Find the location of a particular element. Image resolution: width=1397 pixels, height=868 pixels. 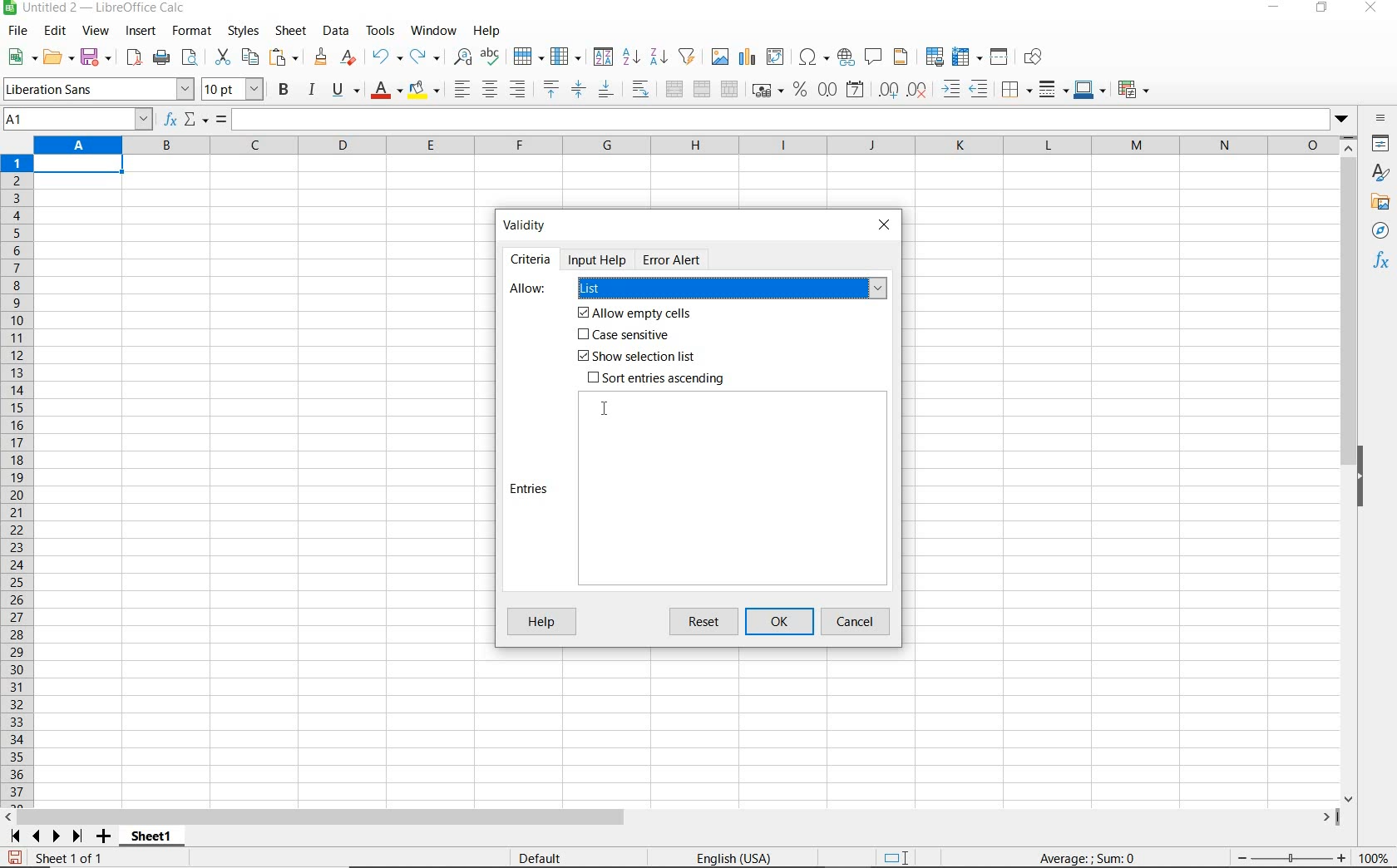

unmerge cells is located at coordinates (729, 89).